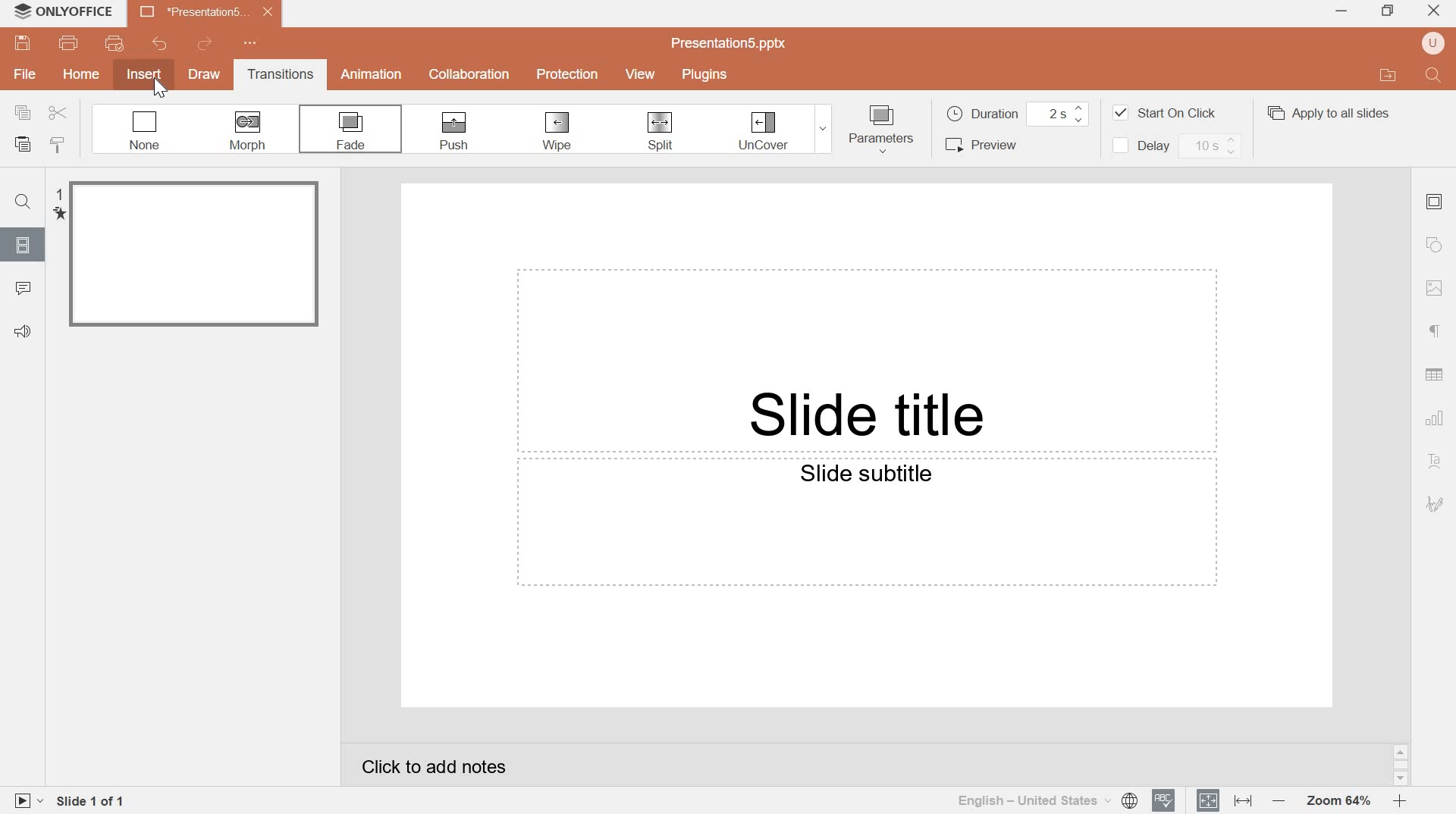 The image size is (1456, 814). What do you see at coordinates (1399, 800) in the screenshot?
I see `zoom in` at bounding box center [1399, 800].